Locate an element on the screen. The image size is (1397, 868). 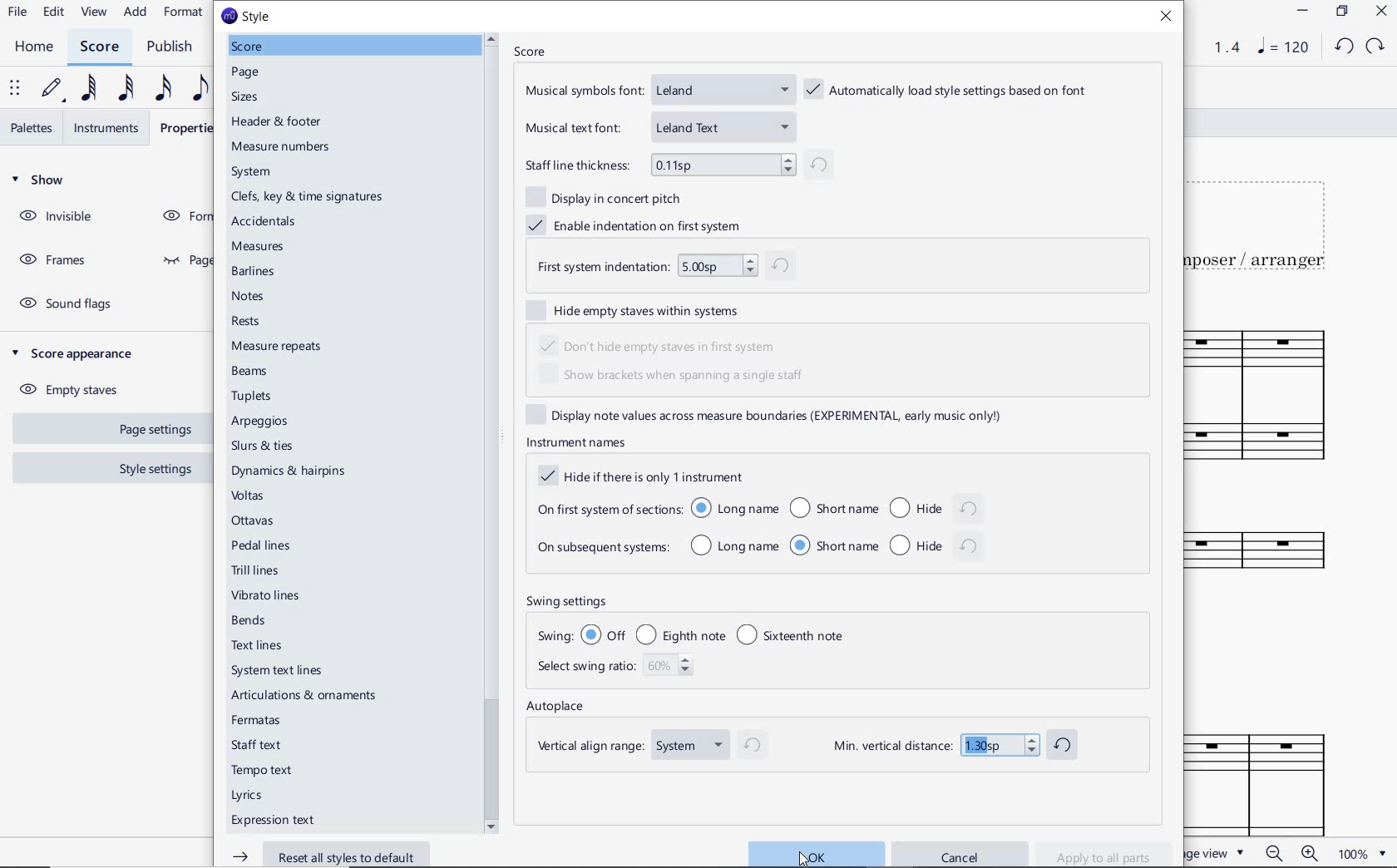
EMPTY STAVES is located at coordinates (76, 387).